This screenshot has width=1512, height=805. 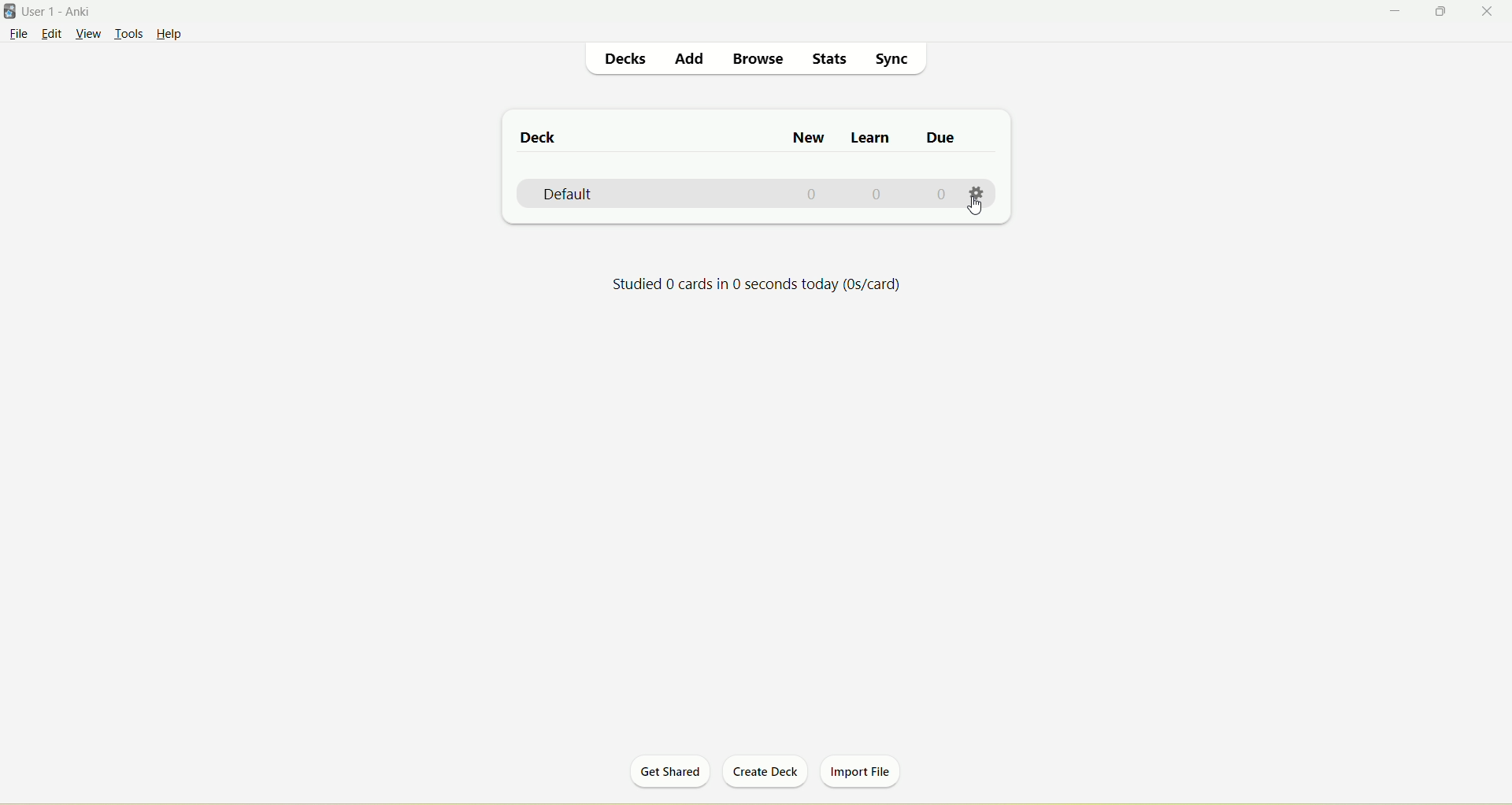 I want to click on browse, so click(x=754, y=57).